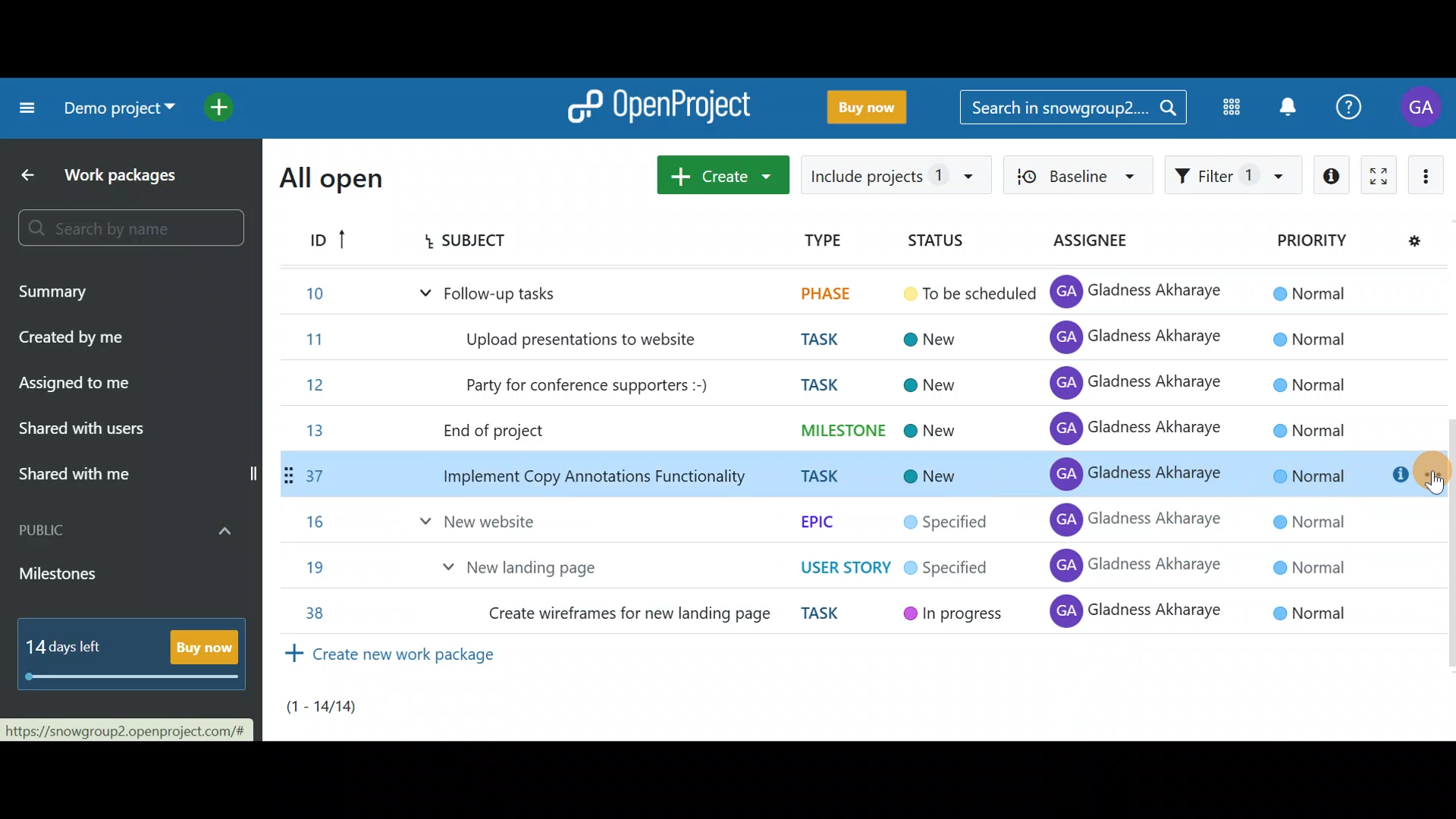 The height and width of the screenshot is (819, 1456). What do you see at coordinates (1350, 109) in the screenshot?
I see `Help` at bounding box center [1350, 109].